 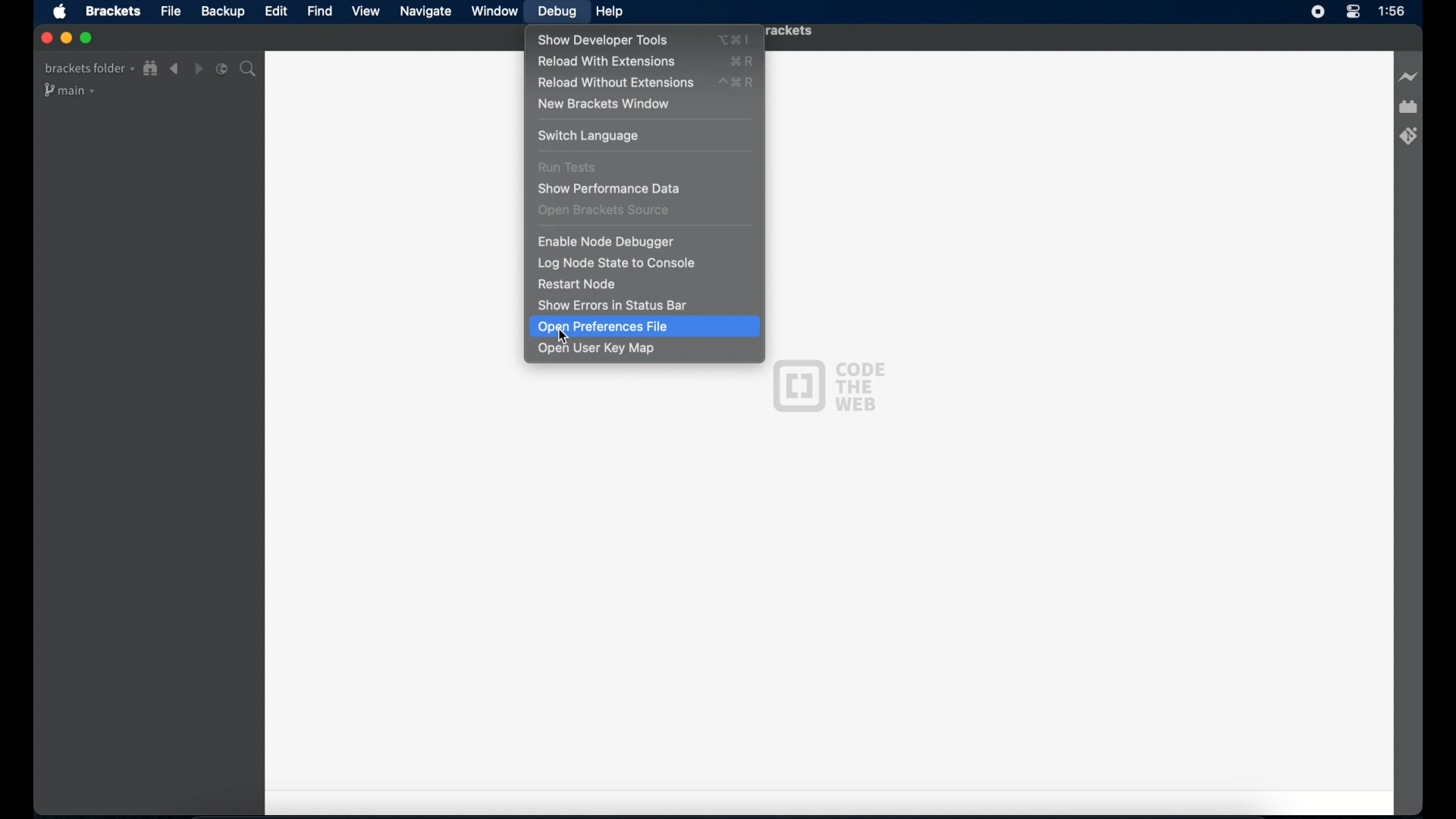 I want to click on Brackets logo, so click(x=792, y=386).